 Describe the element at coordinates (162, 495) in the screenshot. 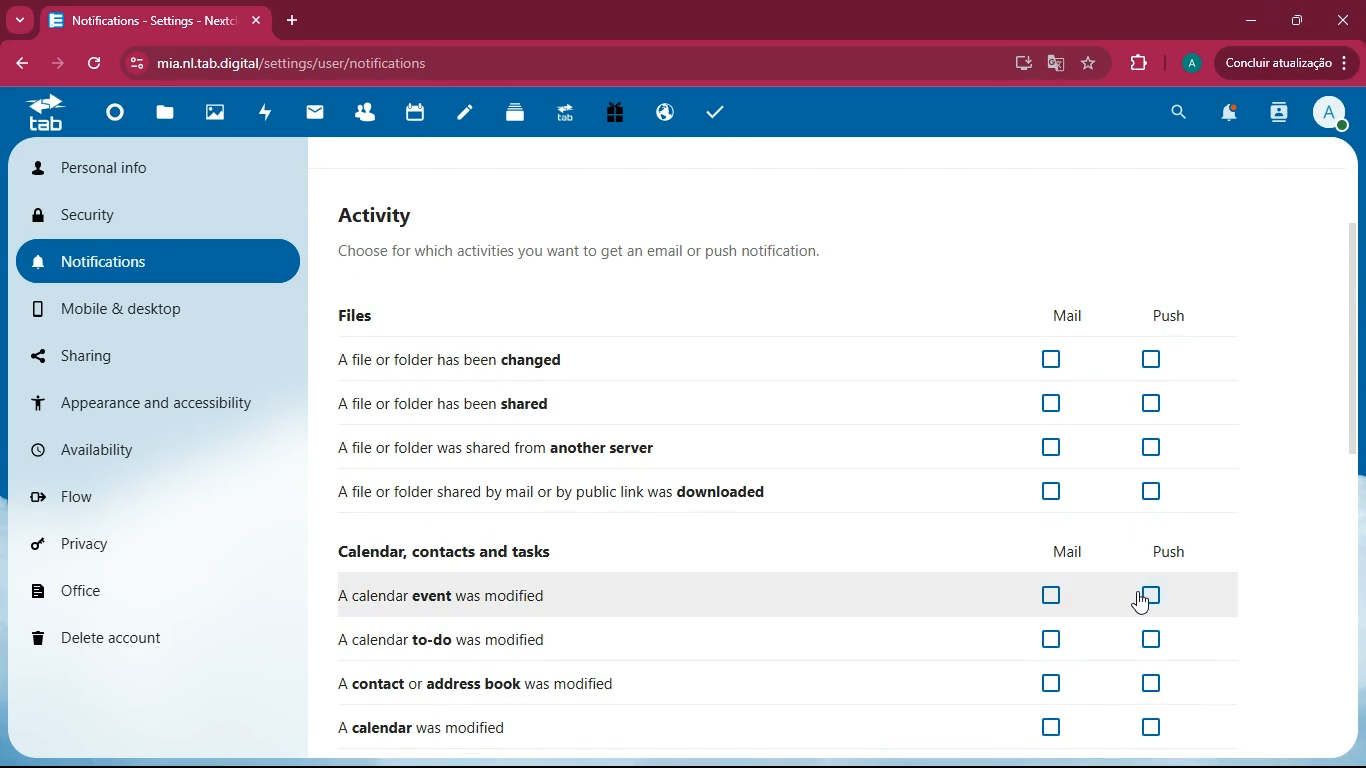

I see `flow` at that location.